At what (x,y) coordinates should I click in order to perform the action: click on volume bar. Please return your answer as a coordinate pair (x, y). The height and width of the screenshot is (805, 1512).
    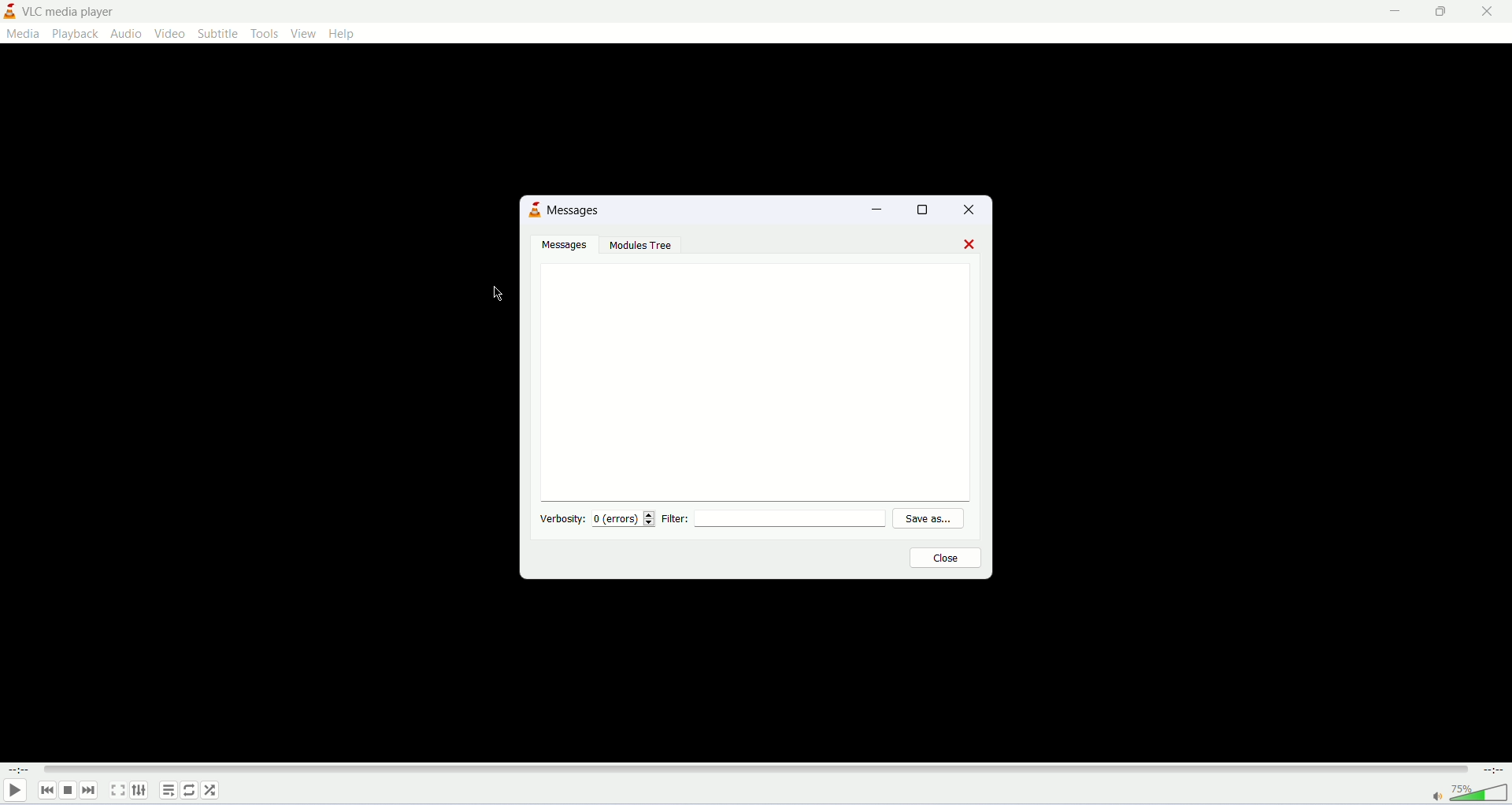
    Looking at the image, I should click on (1471, 796).